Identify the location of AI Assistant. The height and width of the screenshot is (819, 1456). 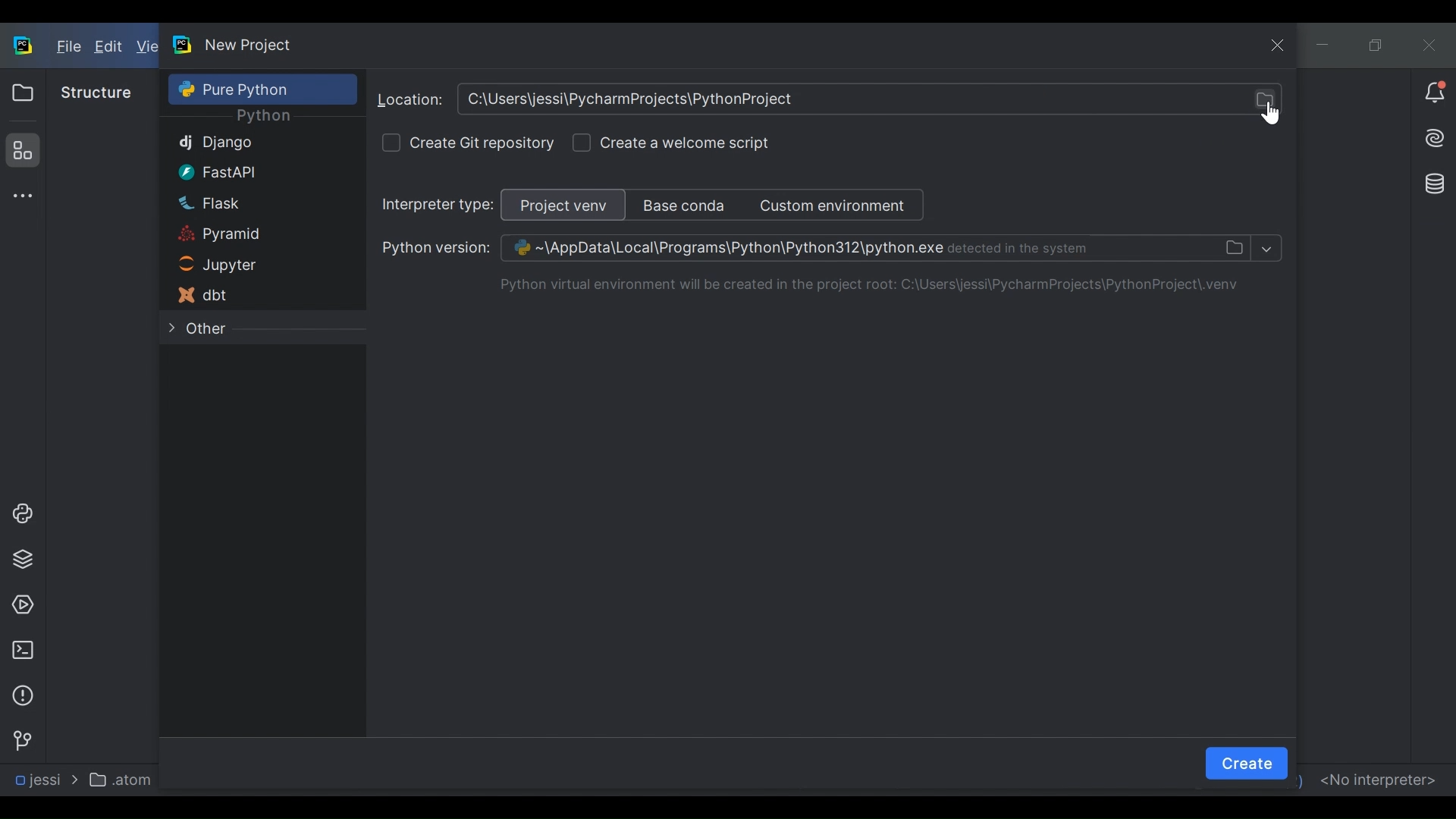
(1433, 138).